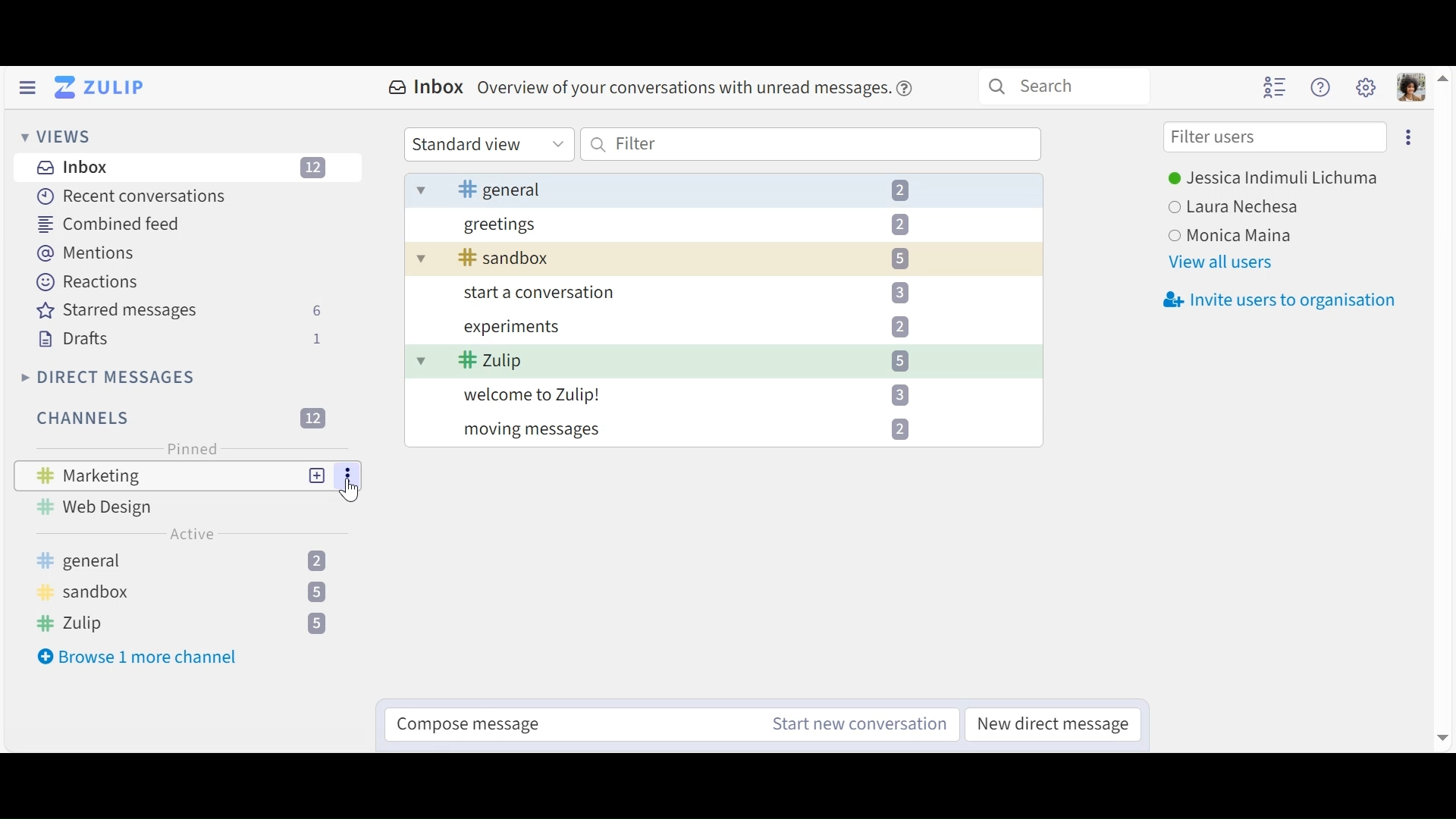 Image resolution: width=1456 pixels, height=819 pixels. I want to click on start a conversation, so click(714, 296).